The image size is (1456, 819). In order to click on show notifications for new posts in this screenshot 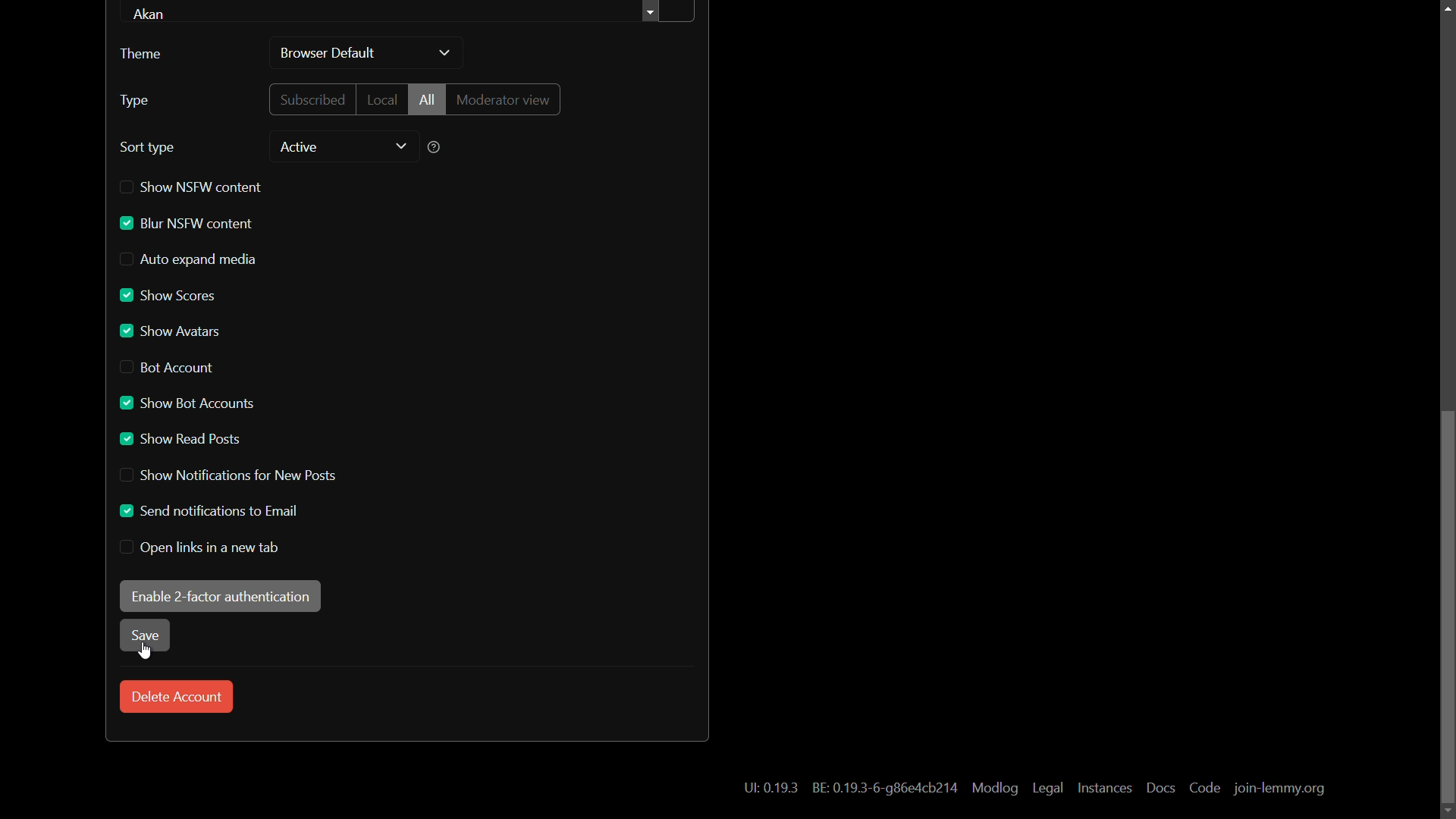, I will do `click(225, 476)`.